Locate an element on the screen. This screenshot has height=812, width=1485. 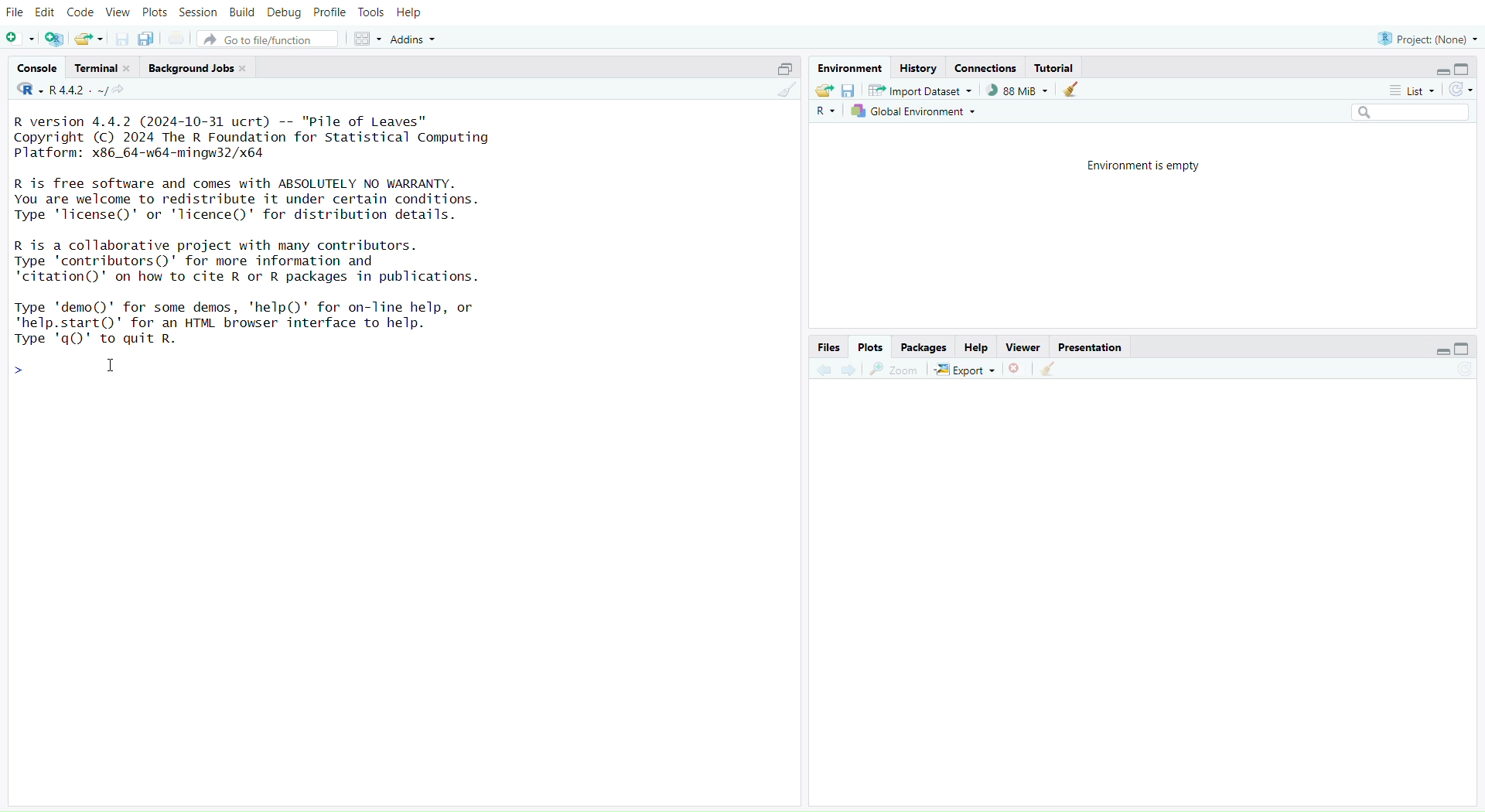
clear all plot is located at coordinates (1047, 369).